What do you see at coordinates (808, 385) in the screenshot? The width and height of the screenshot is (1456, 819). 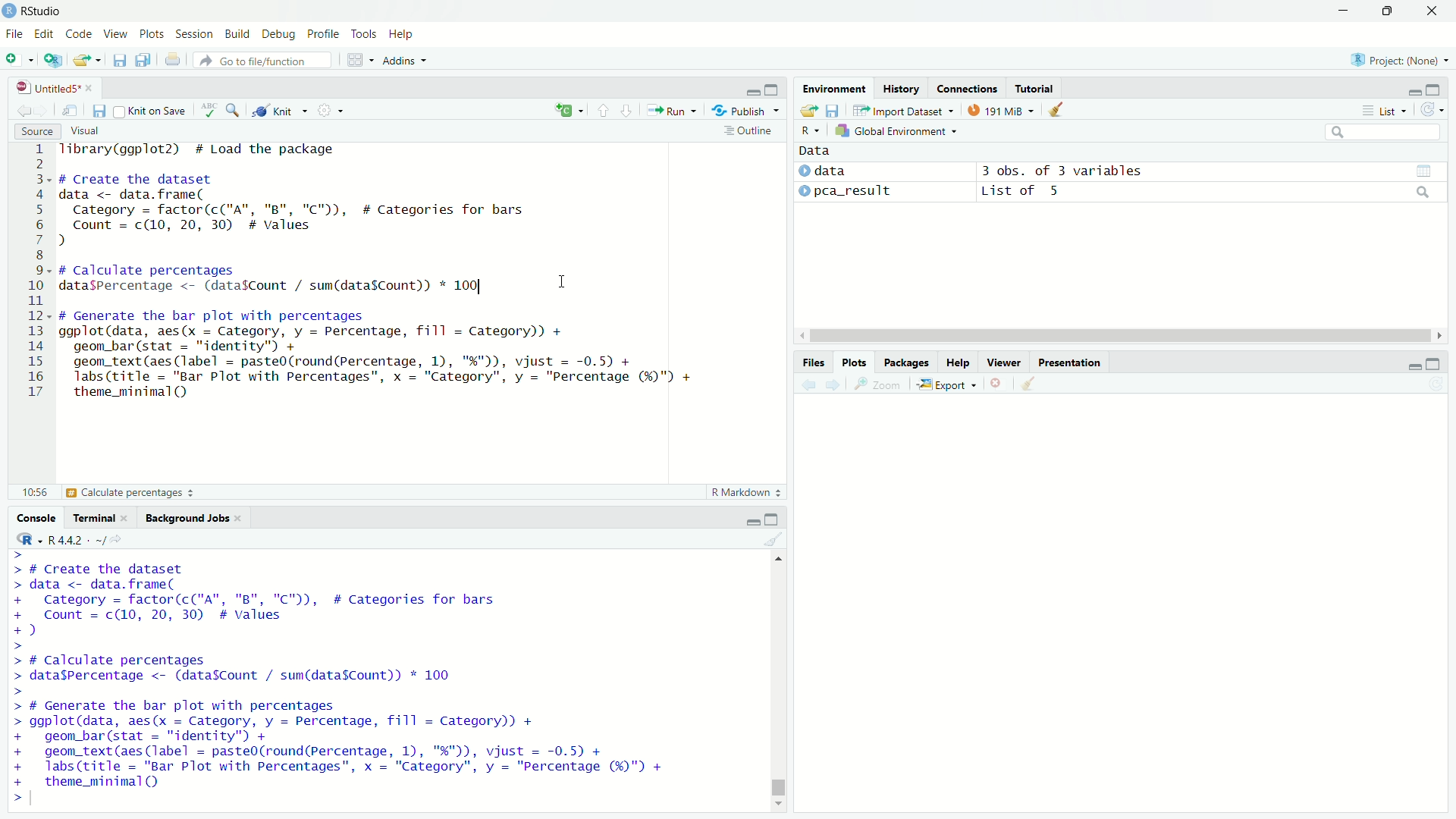 I see `go back` at bounding box center [808, 385].